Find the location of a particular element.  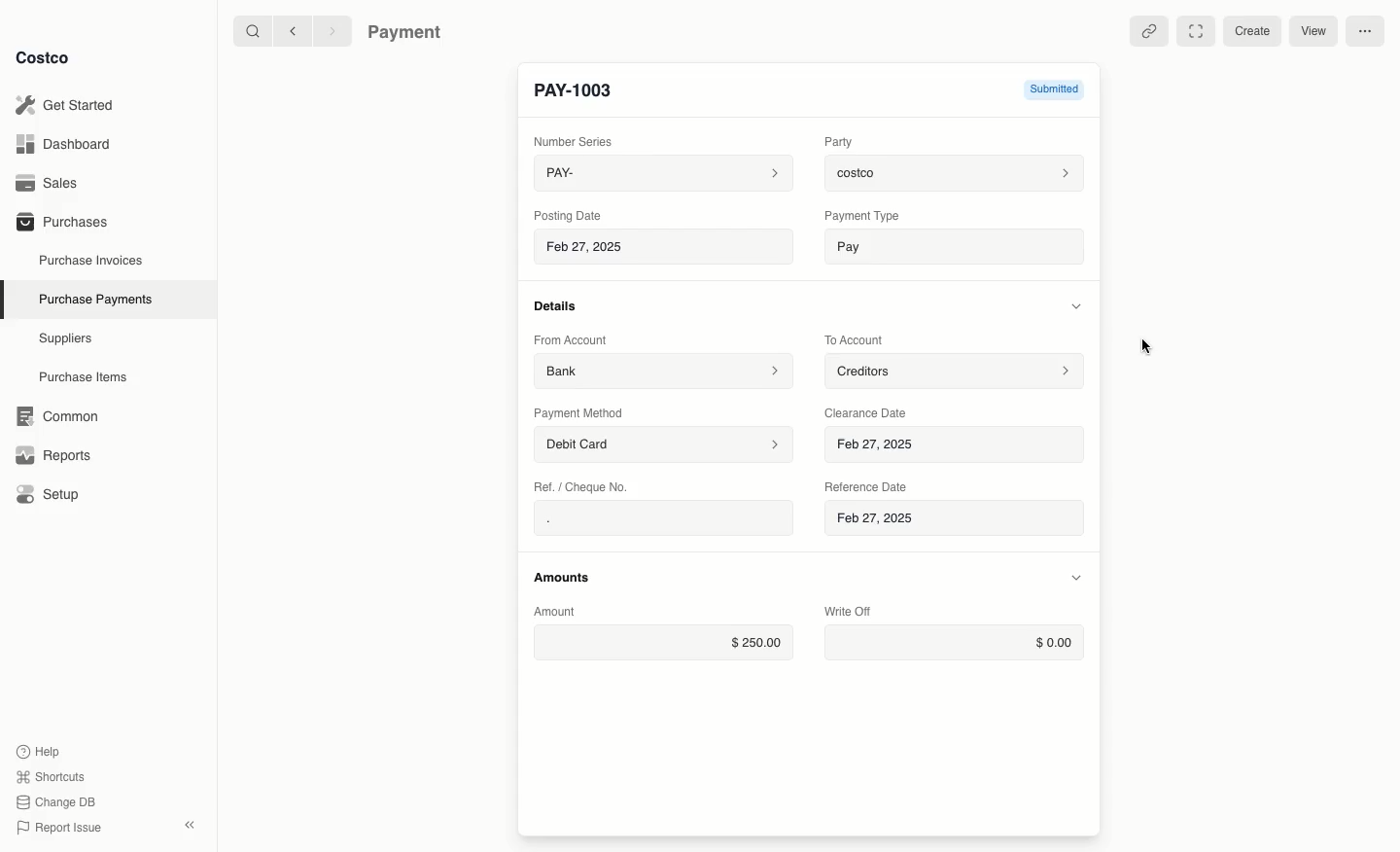

Amounts is located at coordinates (564, 577).